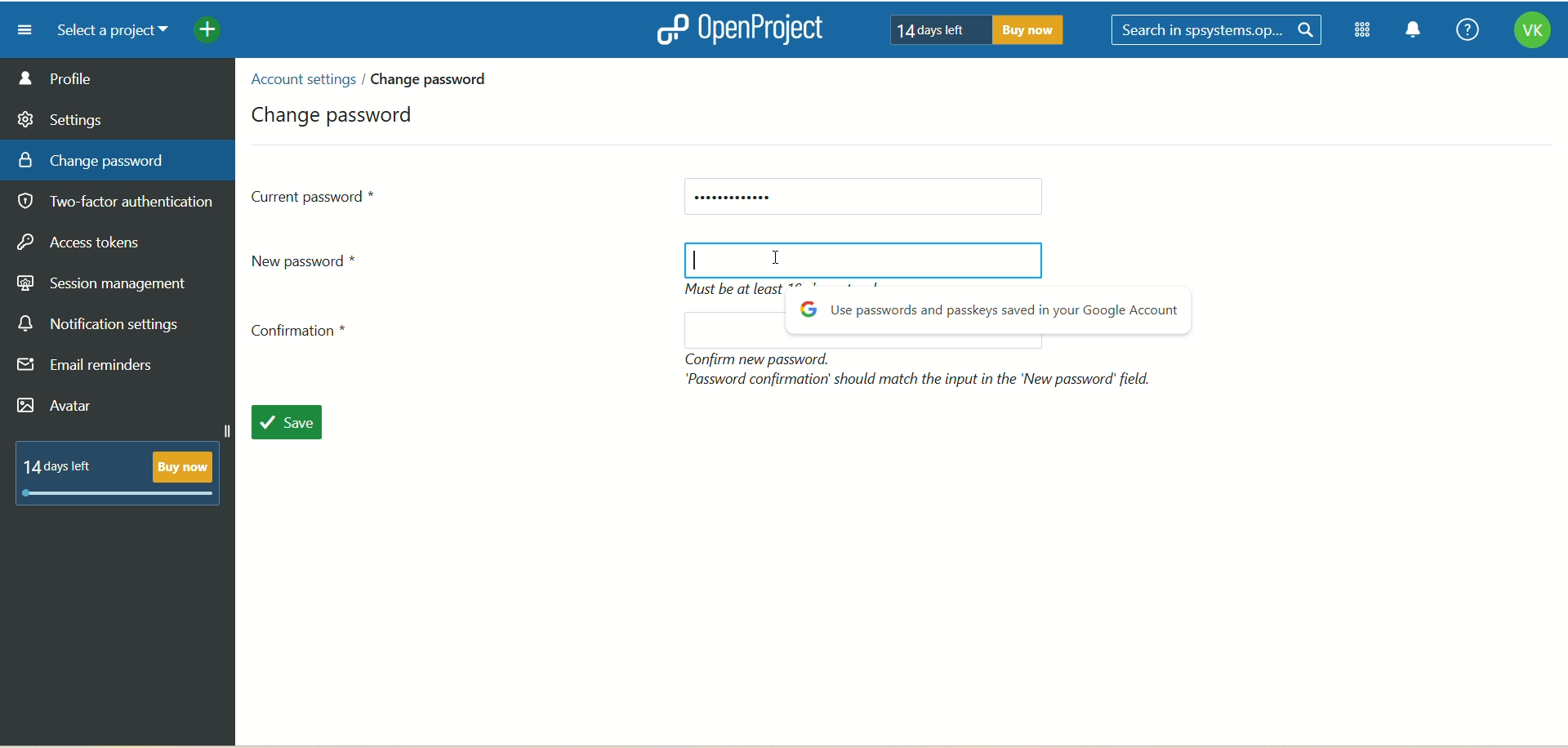 This screenshot has height=748, width=1568. I want to click on settings, so click(61, 117).